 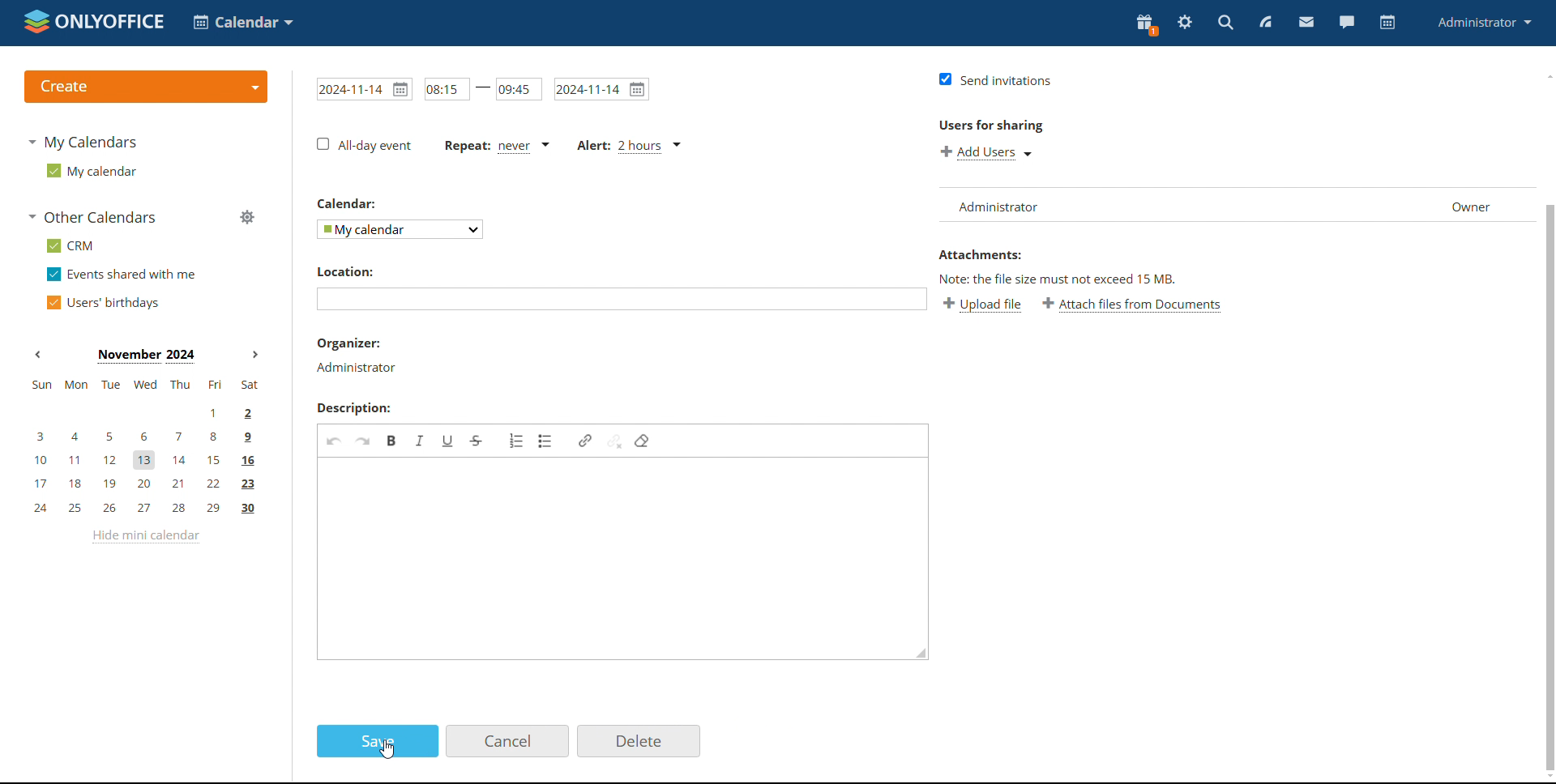 I want to click on link, so click(x=579, y=440).